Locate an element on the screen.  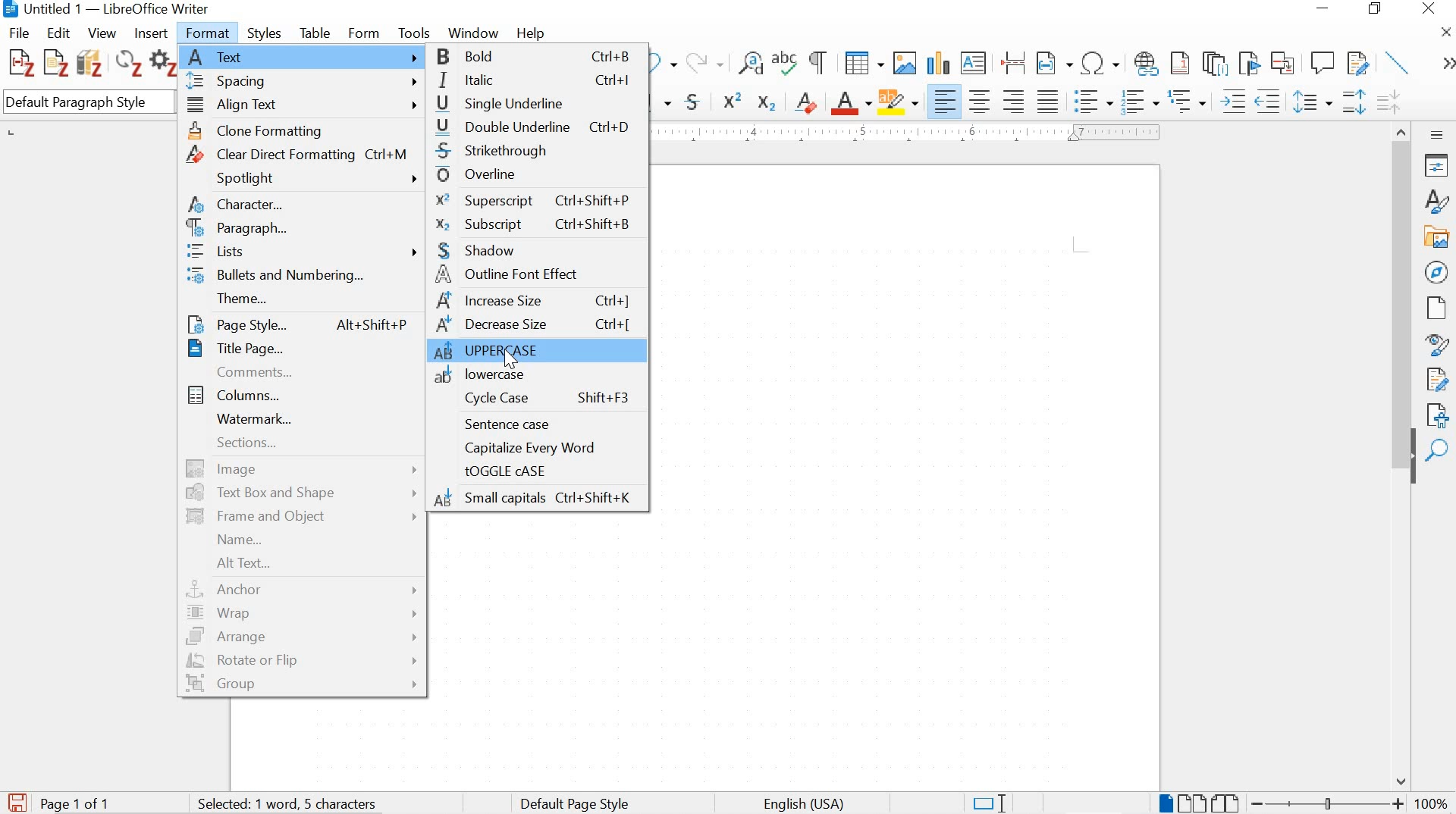
lowercase is located at coordinates (537, 374).